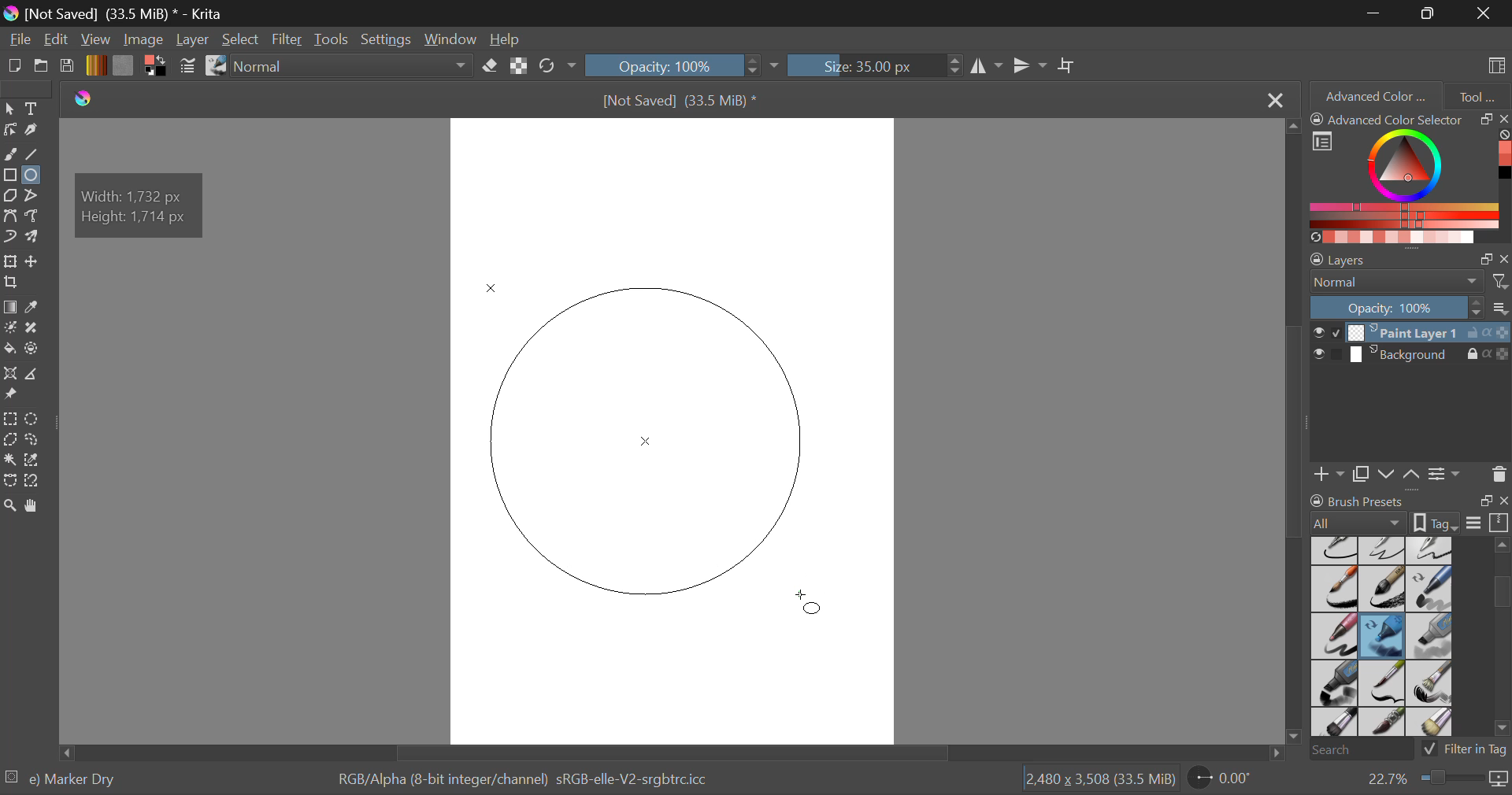 The image size is (1512, 795). I want to click on Tool, so click(1477, 94).